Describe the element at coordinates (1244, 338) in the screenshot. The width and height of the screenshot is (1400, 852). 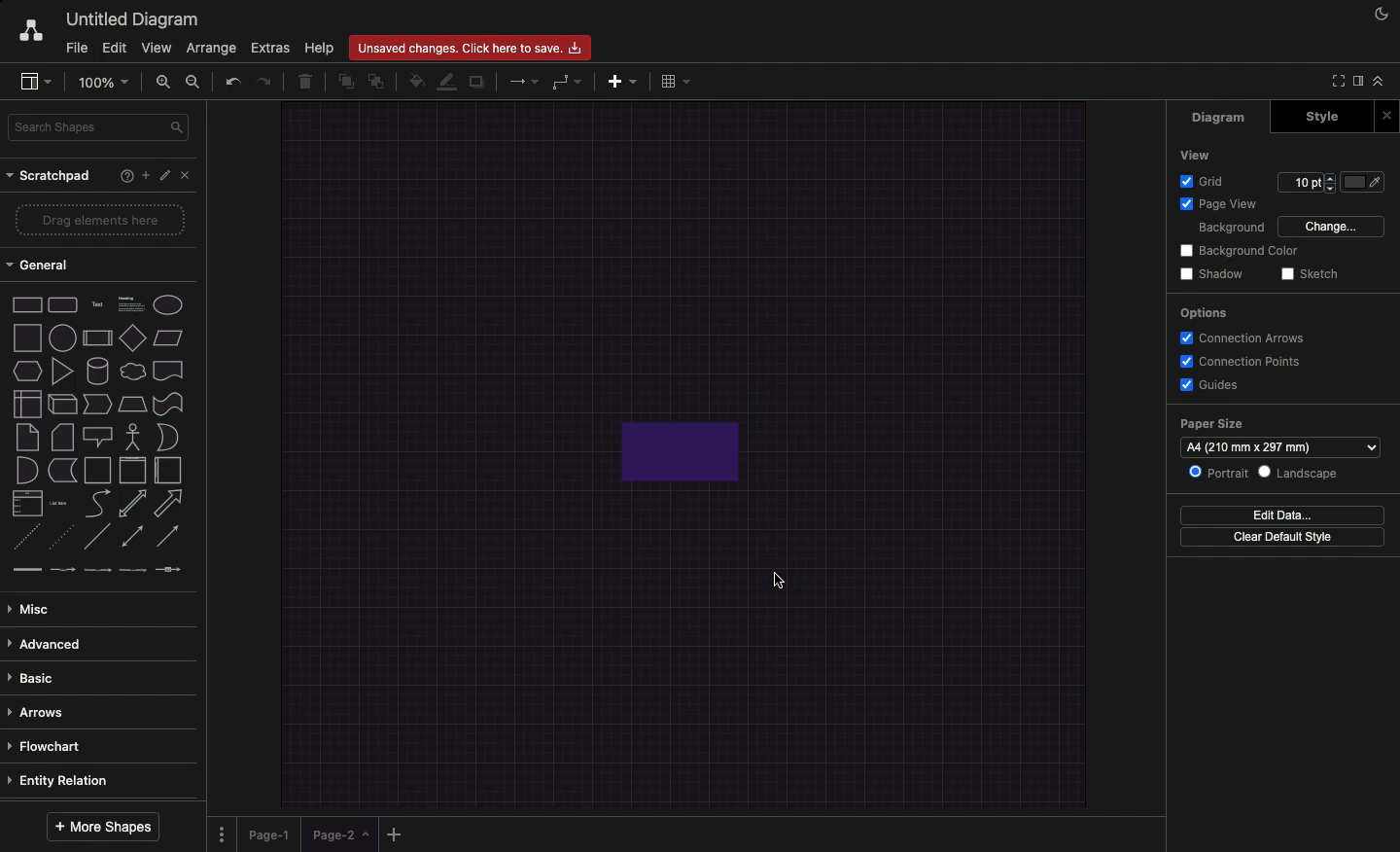
I see `Connection arrows` at that location.